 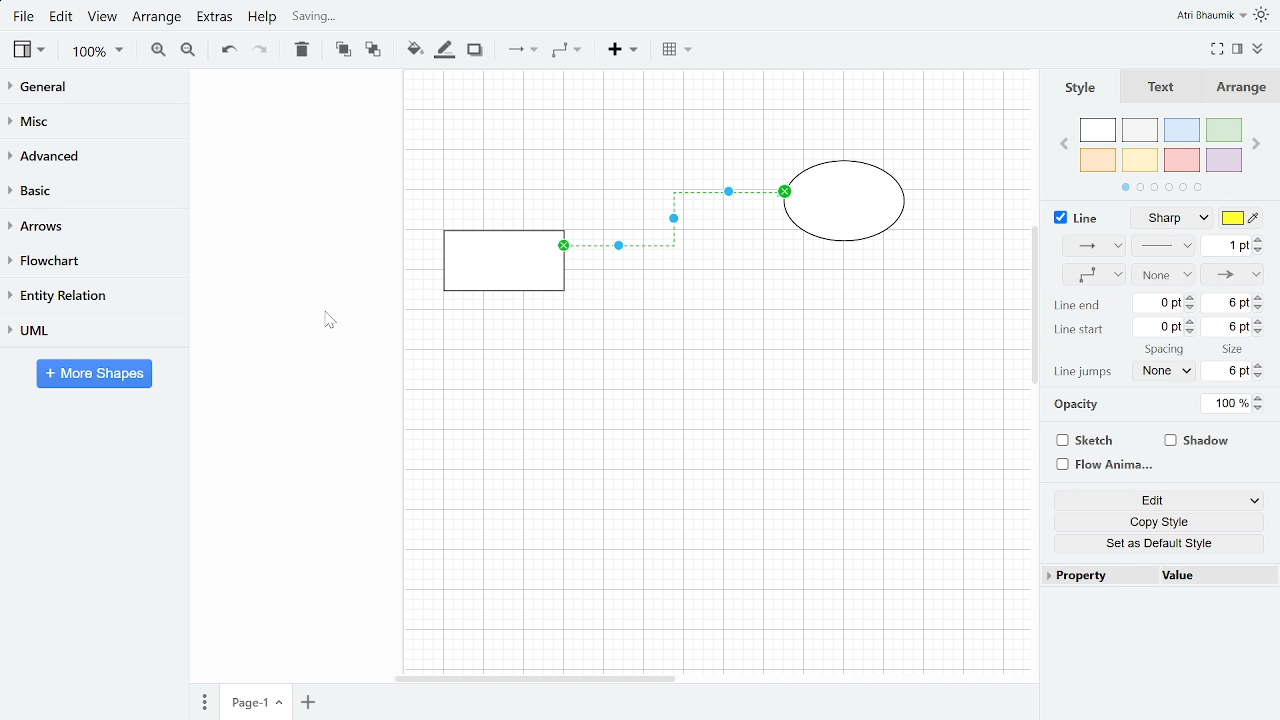 I want to click on line jumps, so click(x=1085, y=371).